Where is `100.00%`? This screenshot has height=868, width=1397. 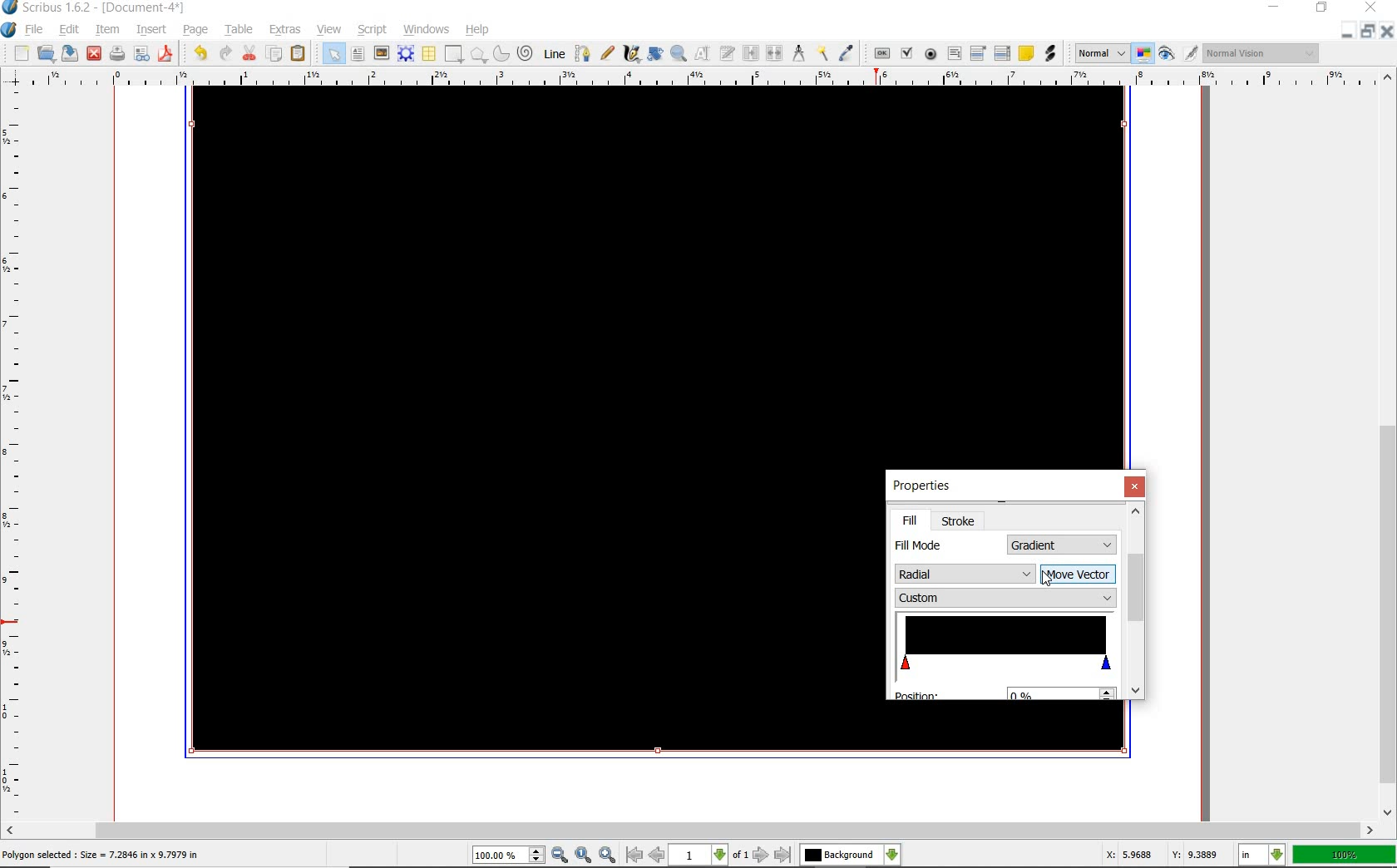 100.00% is located at coordinates (510, 856).